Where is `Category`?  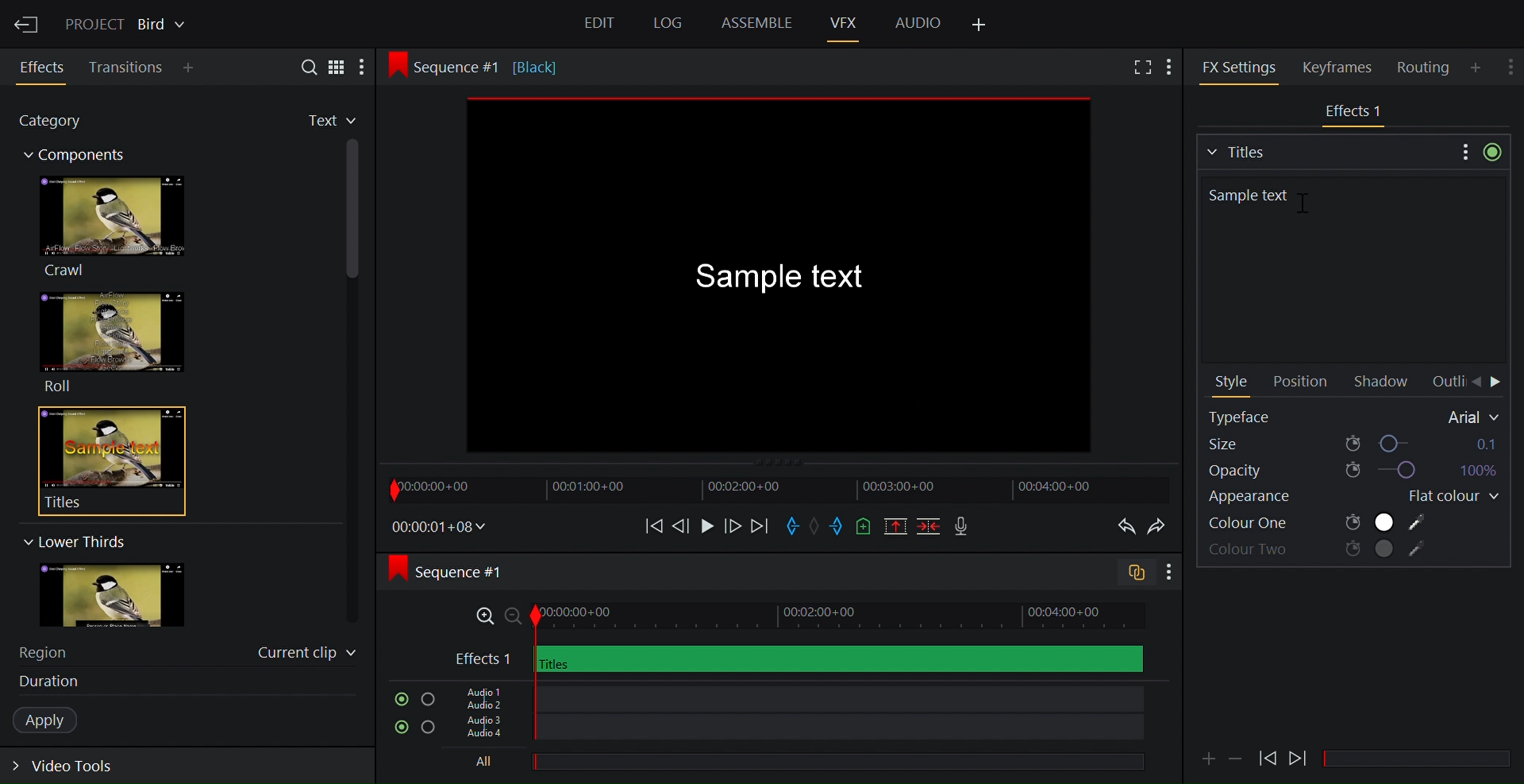
Category is located at coordinates (59, 123).